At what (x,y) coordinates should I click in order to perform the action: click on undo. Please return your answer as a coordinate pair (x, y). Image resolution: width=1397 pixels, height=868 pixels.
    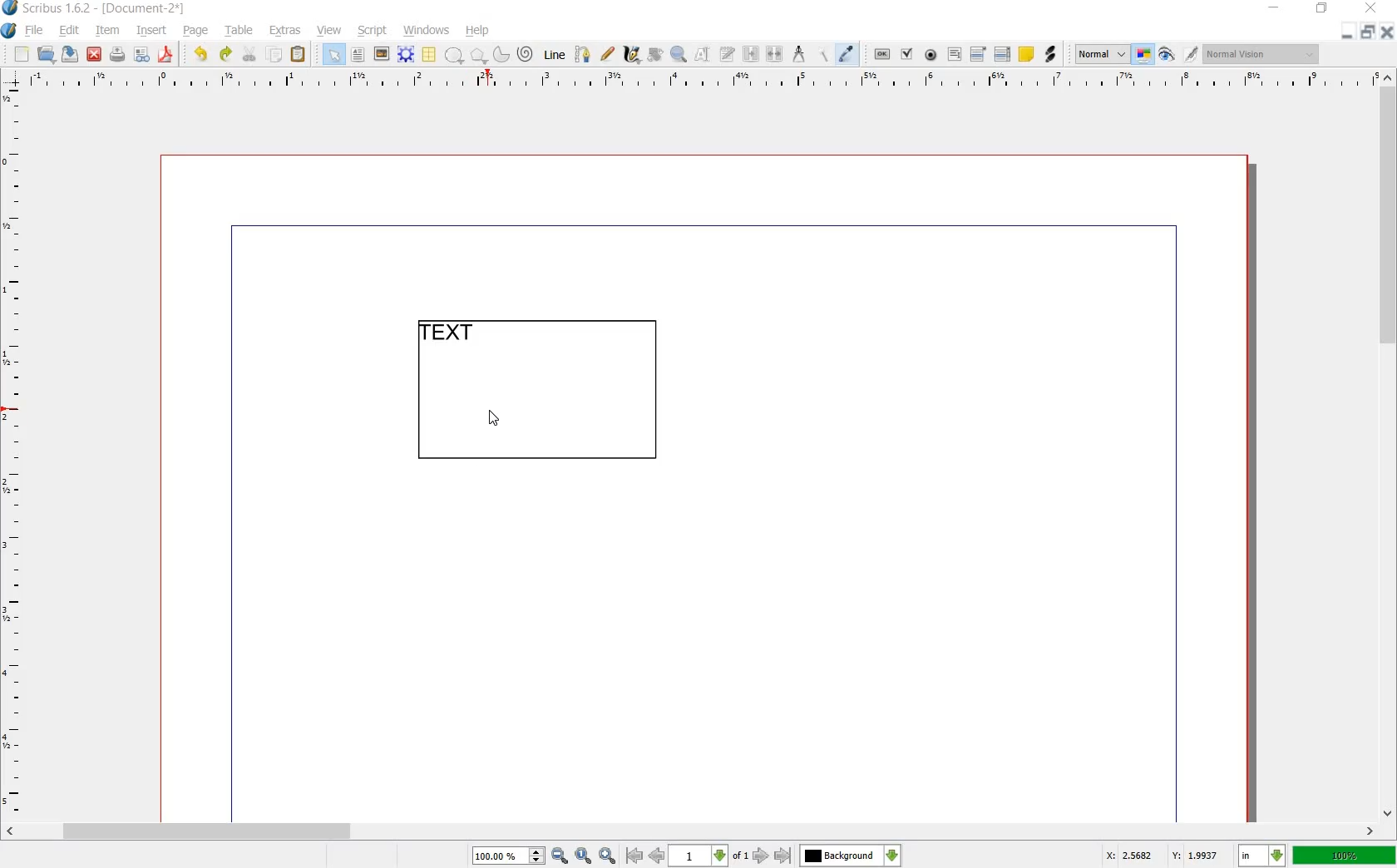
    Looking at the image, I should click on (203, 55).